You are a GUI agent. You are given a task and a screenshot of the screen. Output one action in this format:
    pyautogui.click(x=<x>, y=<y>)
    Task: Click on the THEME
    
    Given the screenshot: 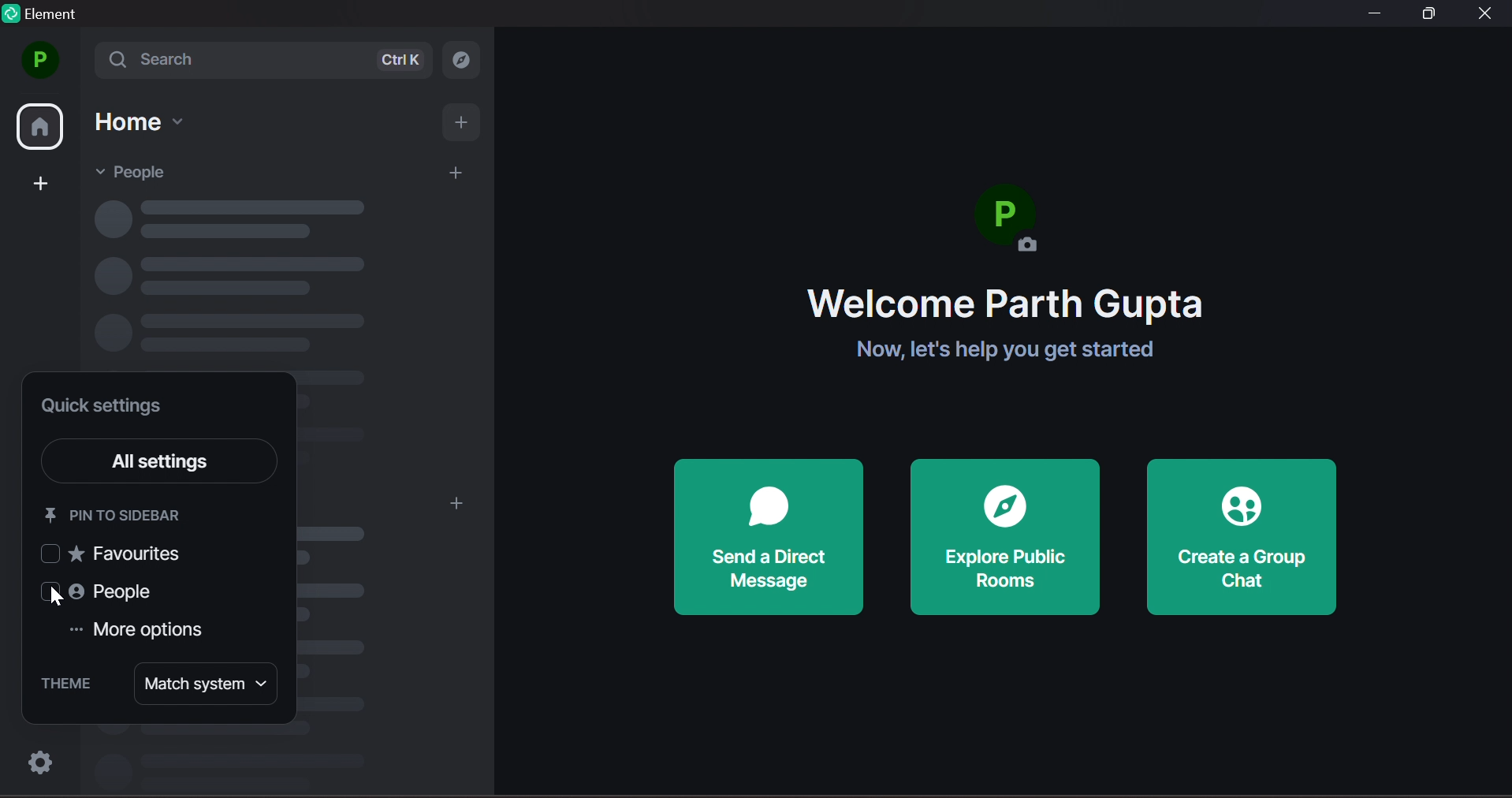 What is the action you would take?
    pyautogui.click(x=65, y=684)
    